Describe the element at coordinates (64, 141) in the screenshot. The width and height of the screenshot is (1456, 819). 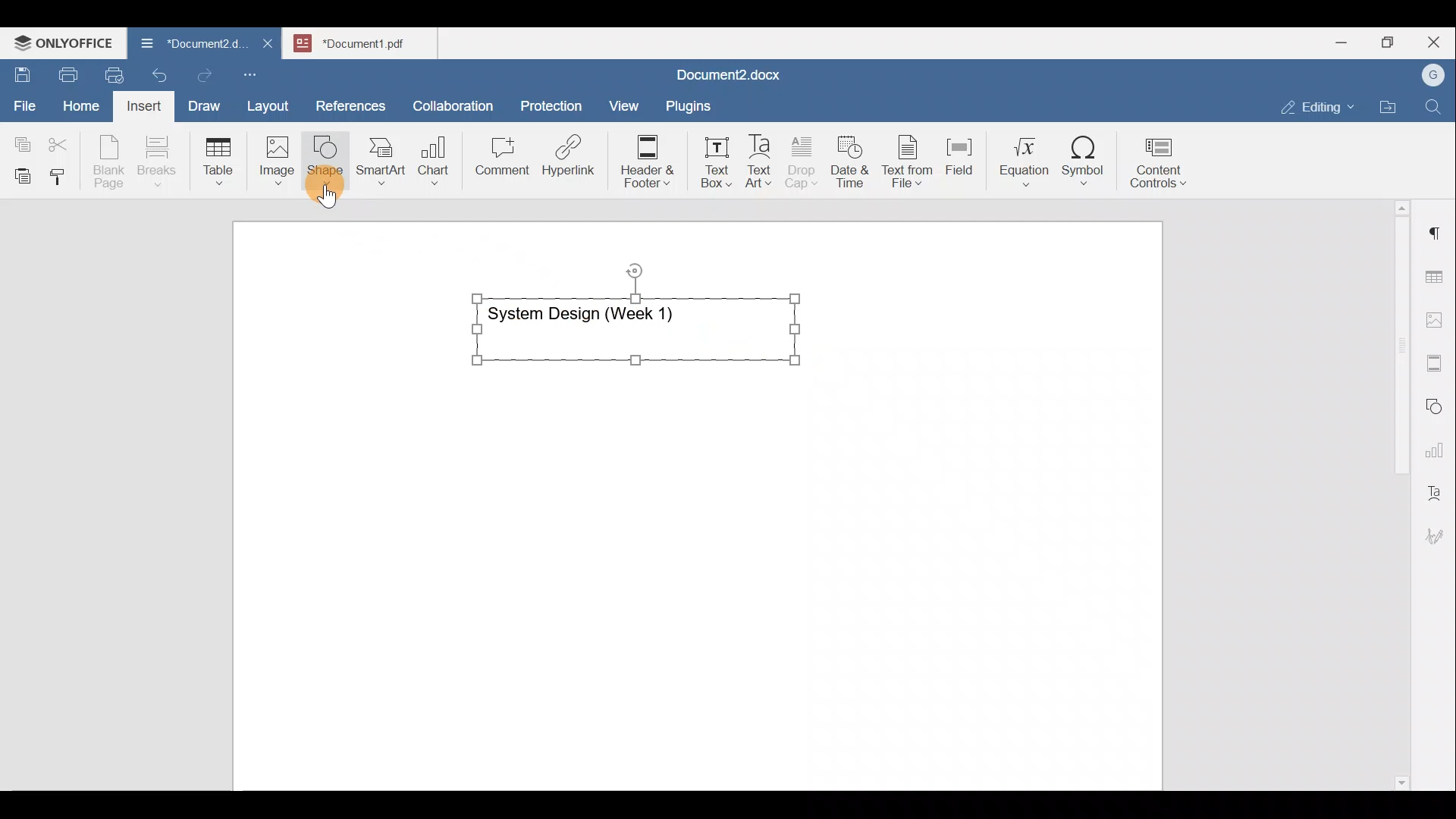
I see `Cut` at that location.